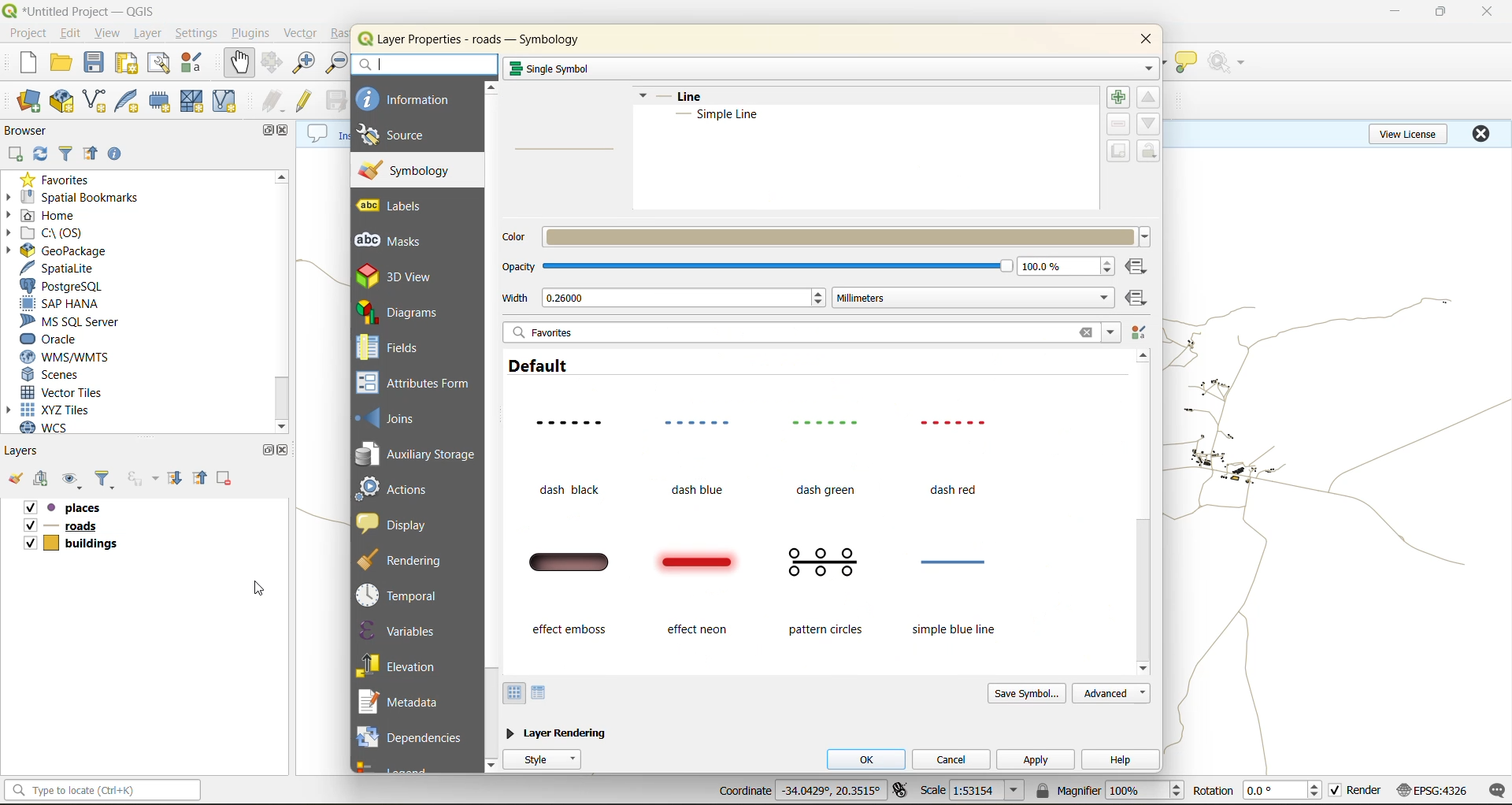 The width and height of the screenshot is (1512, 805). What do you see at coordinates (306, 64) in the screenshot?
I see `zoom in` at bounding box center [306, 64].